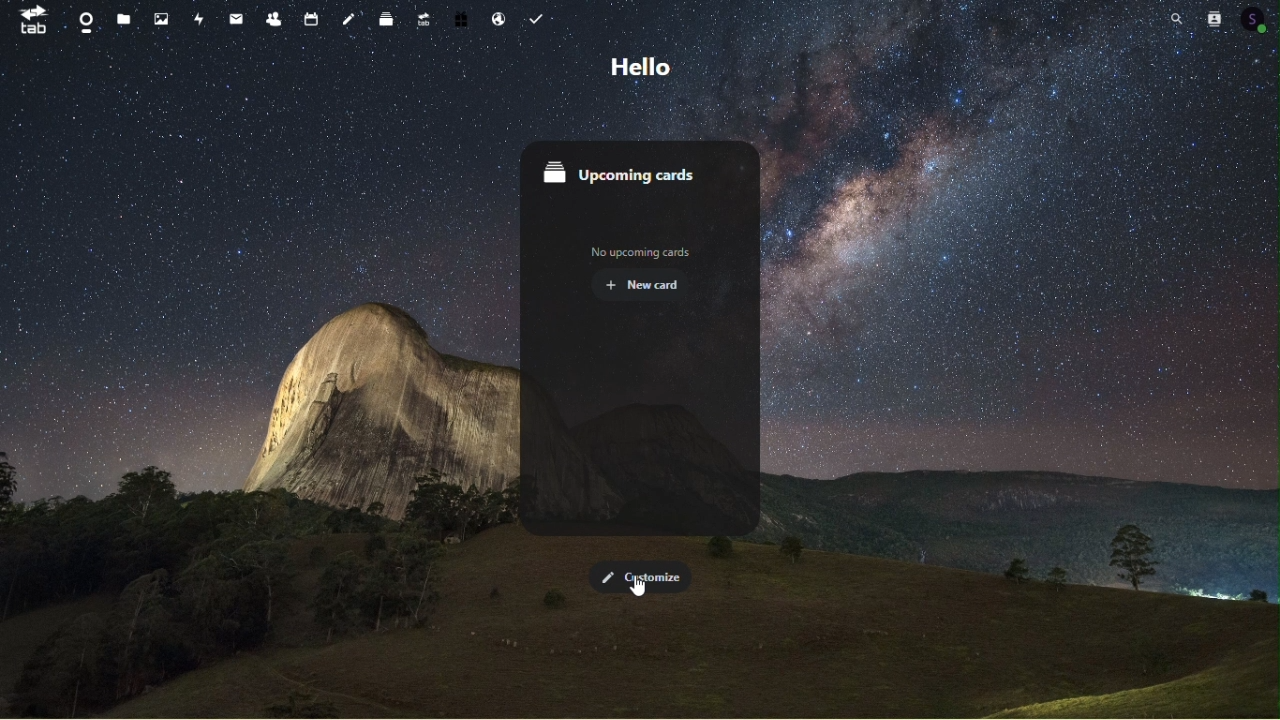  I want to click on Contacts, so click(1218, 17).